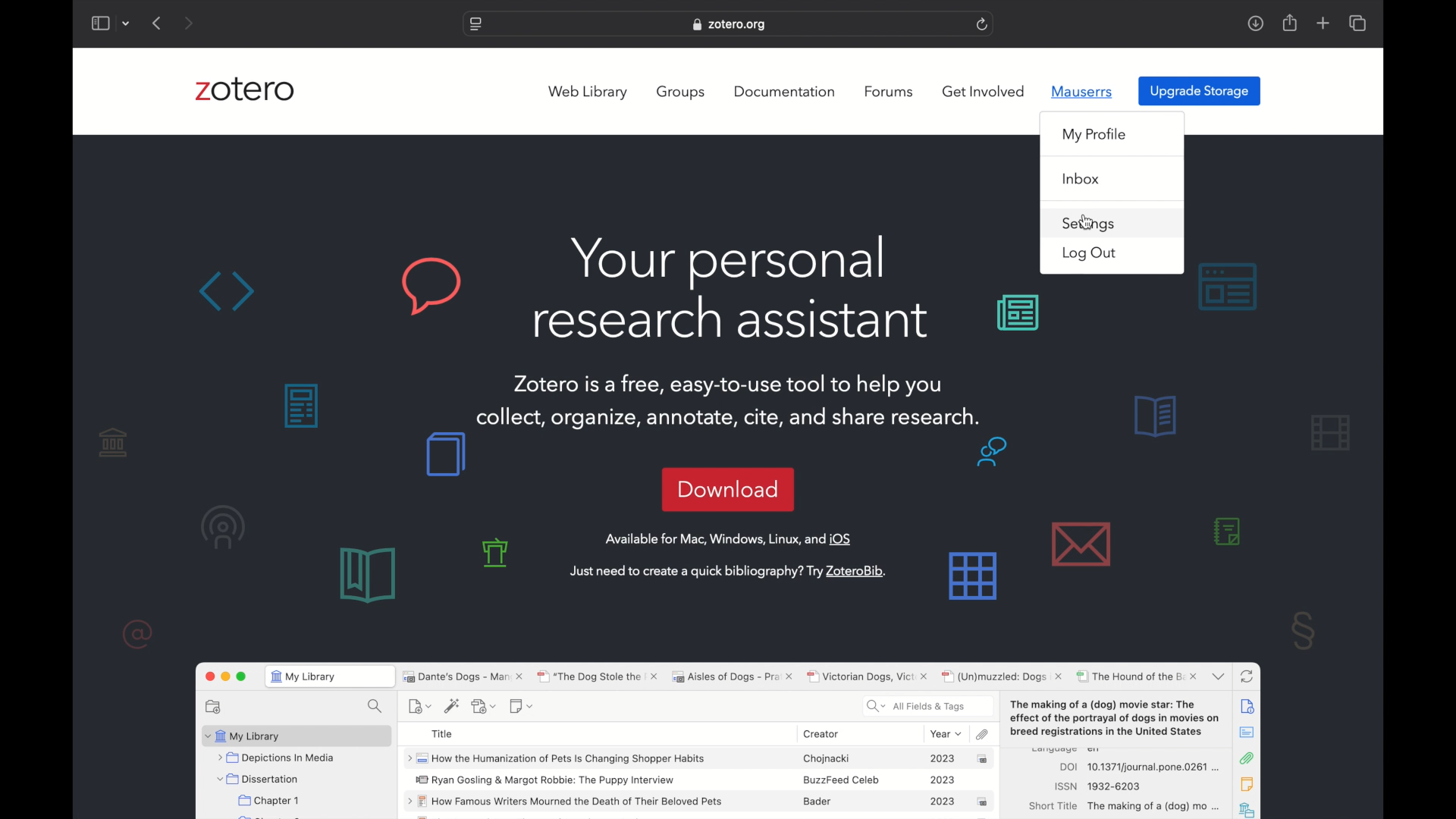 Image resolution: width=1456 pixels, height=819 pixels. Describe the element at coordinates (786, 92) in the screenshot. I see `documentation` at that location.